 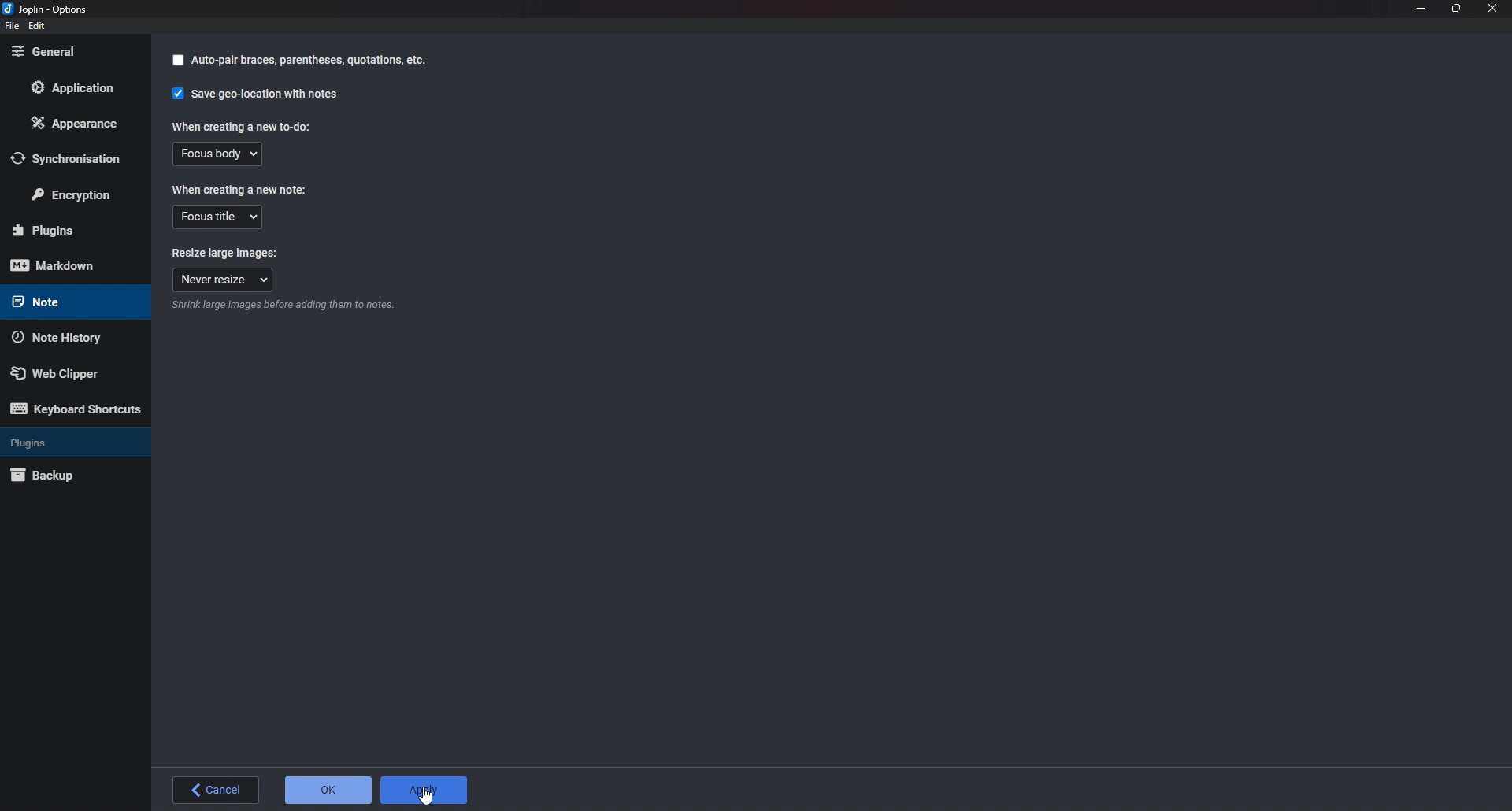 What do you see at coordinates (75, 160) in the screenshot?
I see `Synchronization` at bounding box center [75, 160].